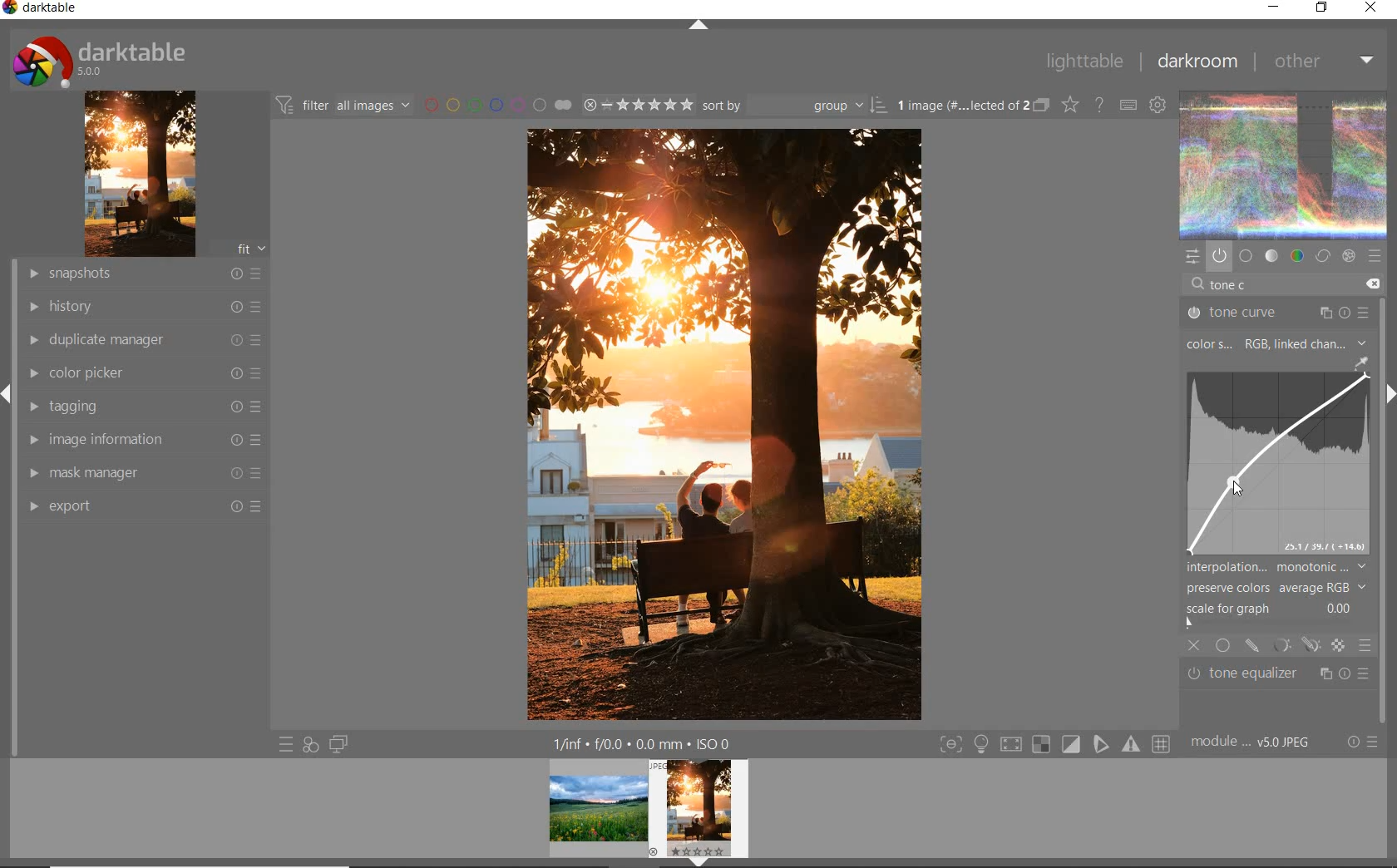  Describe the element at coordinates (1276, 567) in the screenshot. I see `interpolation` at that location.